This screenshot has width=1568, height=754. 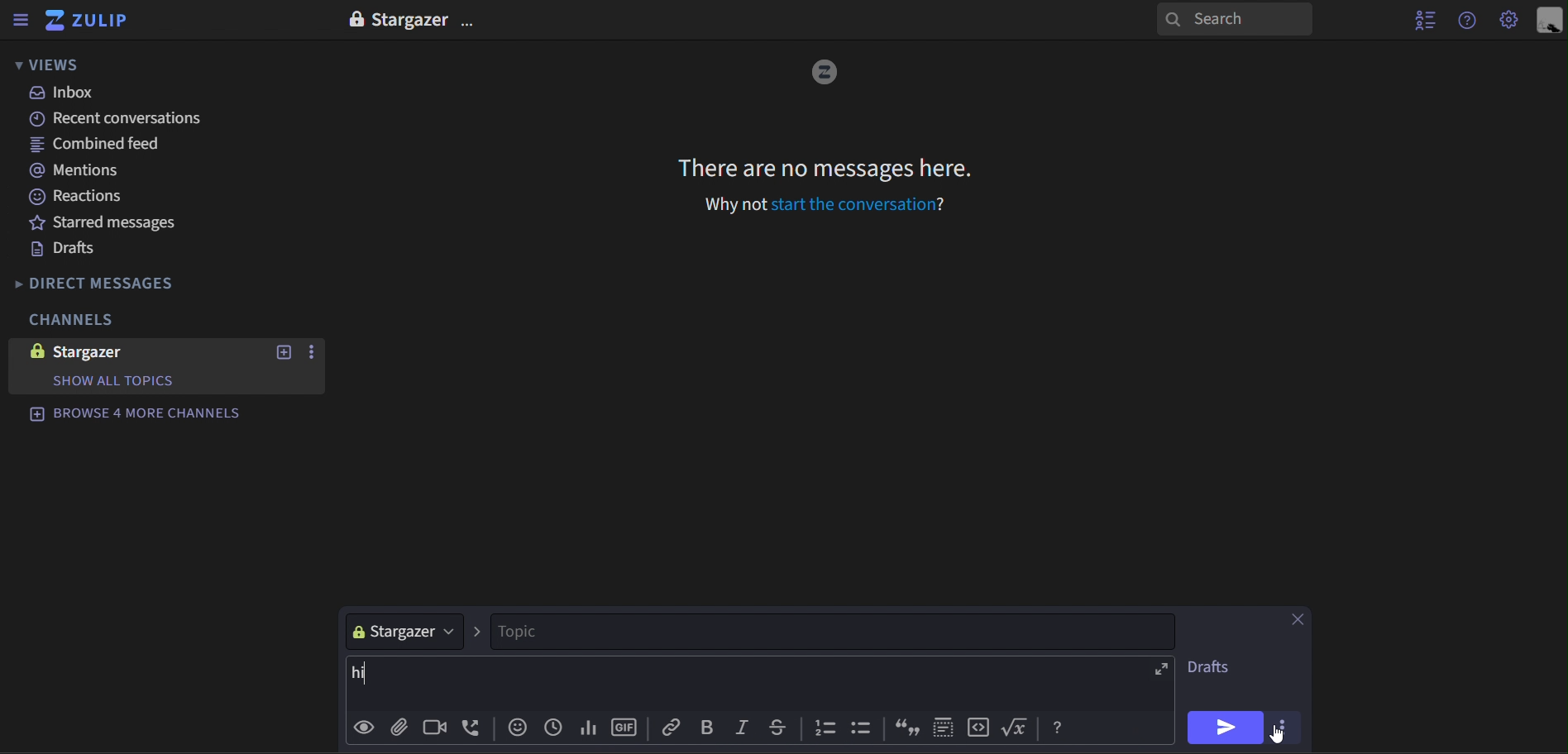 What do you see at coordinates (1547, 20) in the screenshot?
I see `personal menu` at bounding box center [1547, 20].